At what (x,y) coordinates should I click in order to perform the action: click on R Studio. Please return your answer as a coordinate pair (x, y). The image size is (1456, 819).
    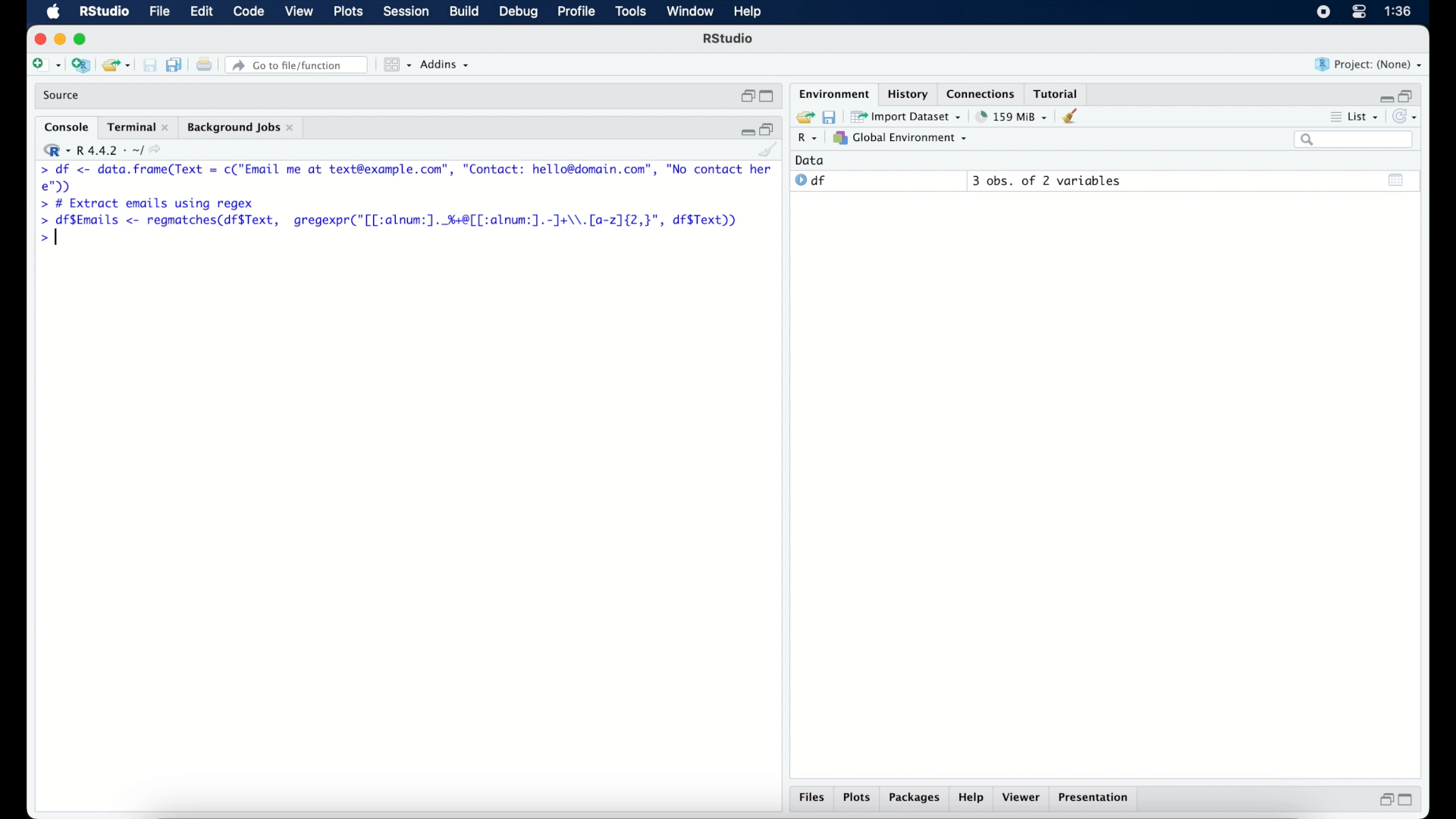
    Looking at the image, I should click on (730, 40).